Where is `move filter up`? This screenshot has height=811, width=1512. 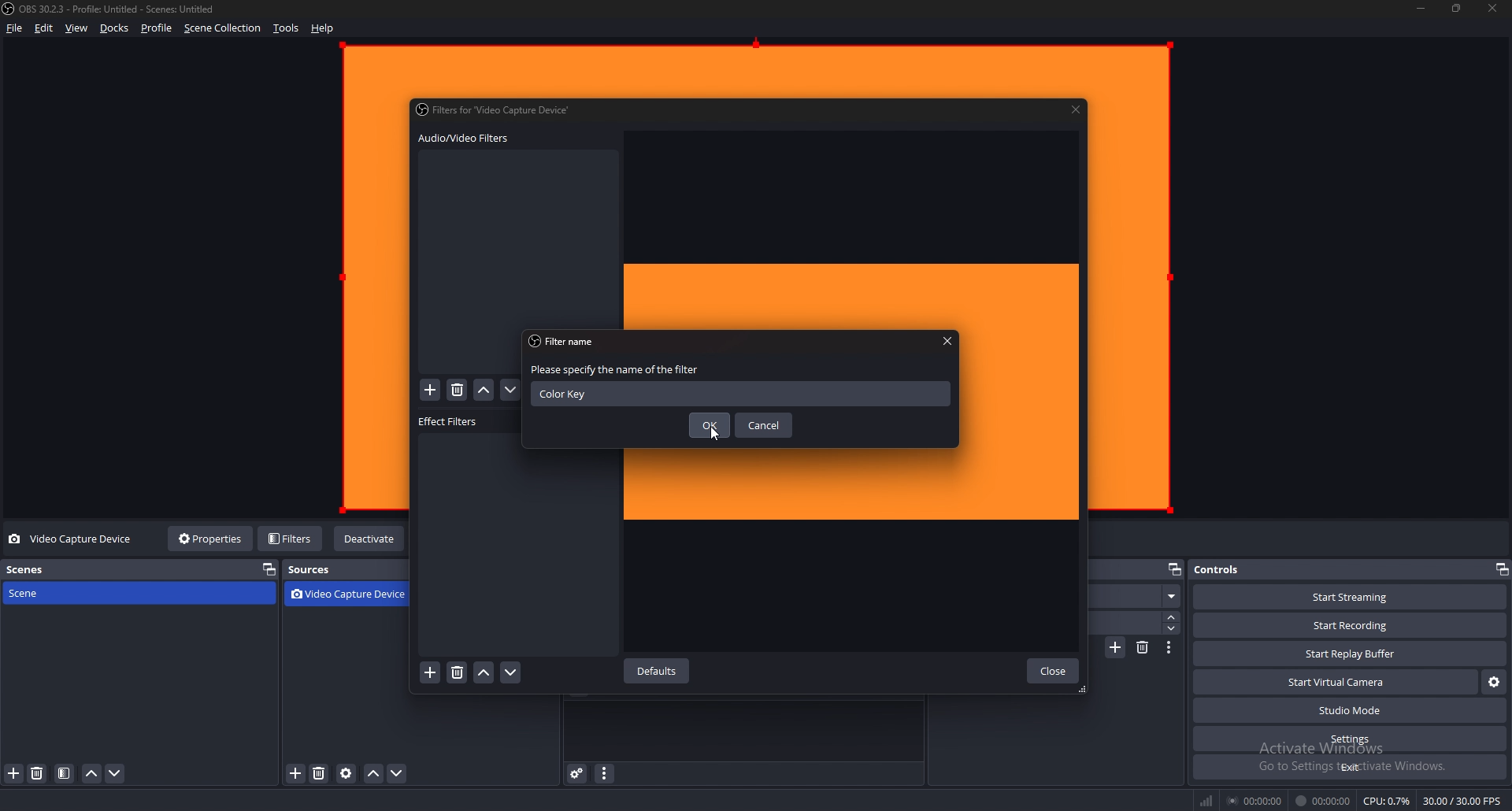
move filter up is located at coordinates (484, 673).